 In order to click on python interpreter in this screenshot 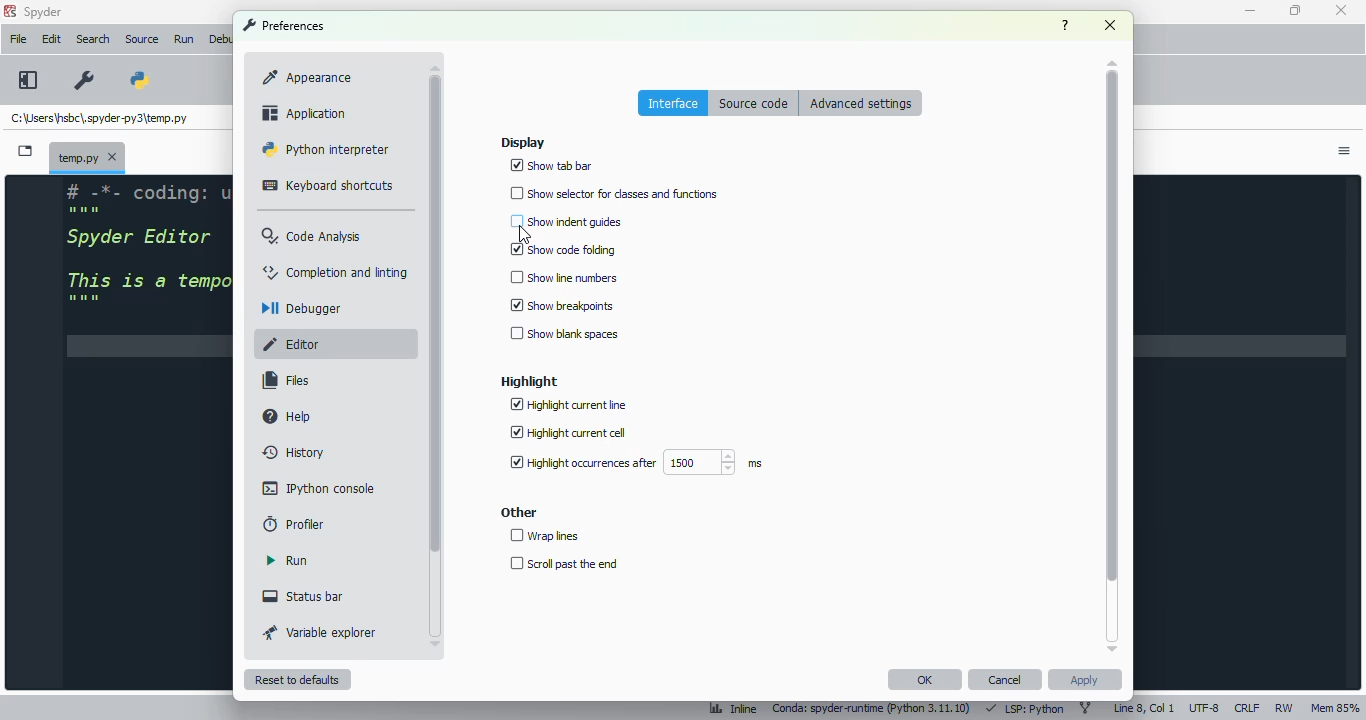, I will do `click(326, 148)`.